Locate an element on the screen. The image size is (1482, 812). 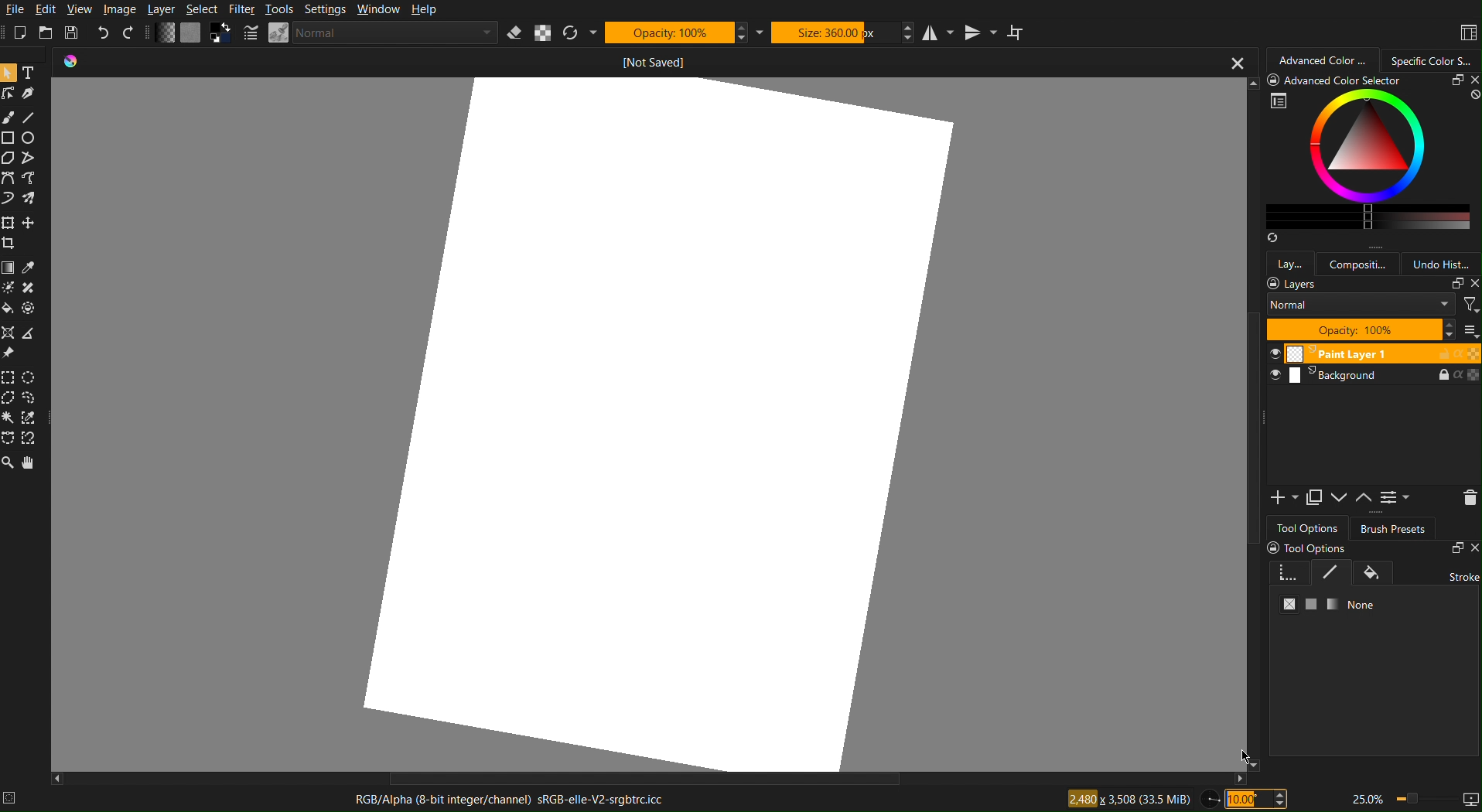
 is located at coordinates (28, 308).